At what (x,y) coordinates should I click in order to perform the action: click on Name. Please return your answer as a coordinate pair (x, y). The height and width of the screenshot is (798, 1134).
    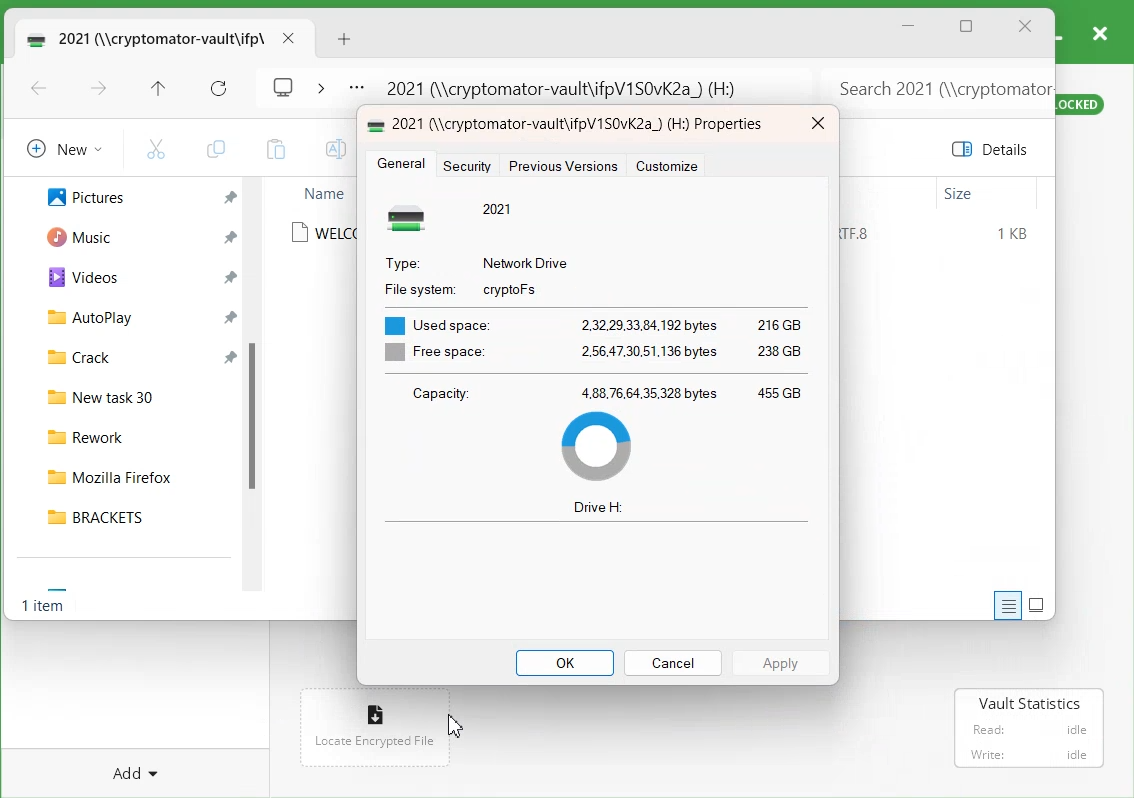
    Looking at the image, I should click on (323, 193).